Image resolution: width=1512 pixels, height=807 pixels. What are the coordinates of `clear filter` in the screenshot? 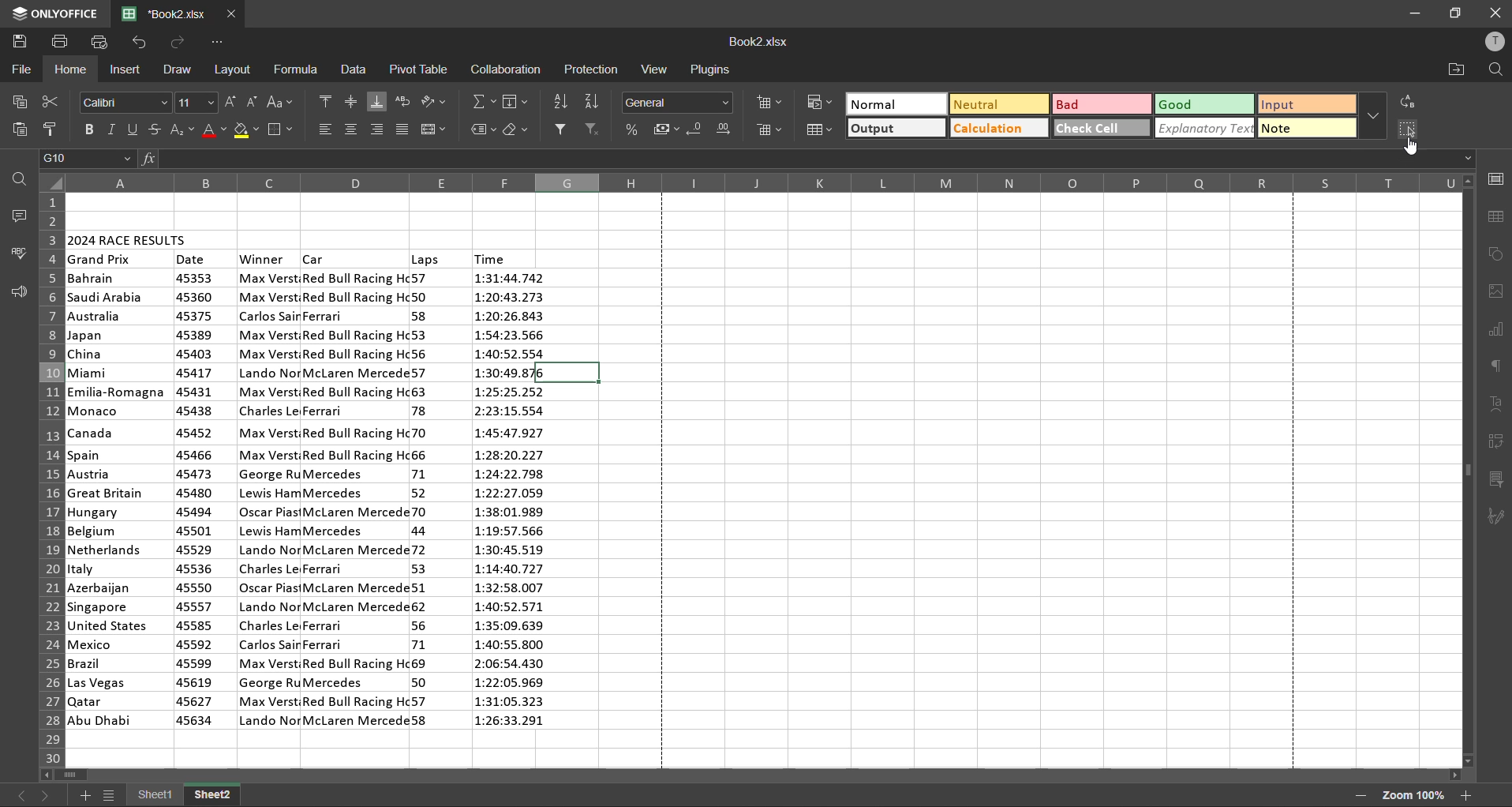 It's located at (593, 128).